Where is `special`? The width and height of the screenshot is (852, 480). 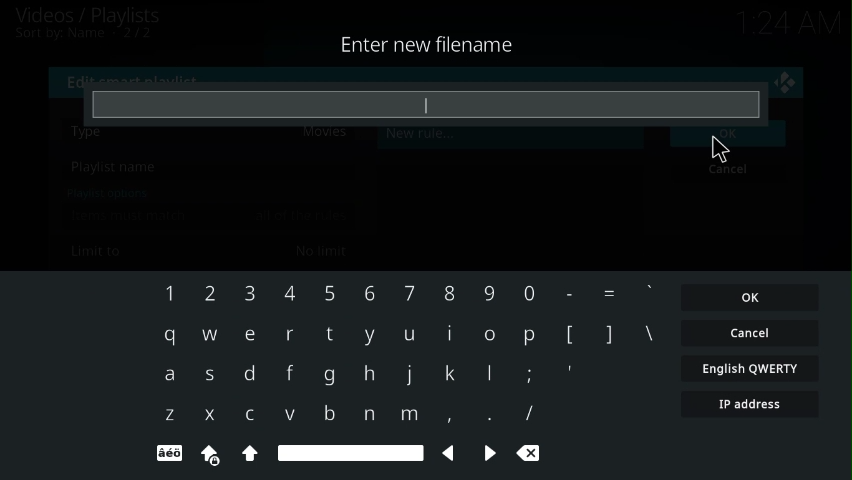
special is located at coordinates (168, 454).